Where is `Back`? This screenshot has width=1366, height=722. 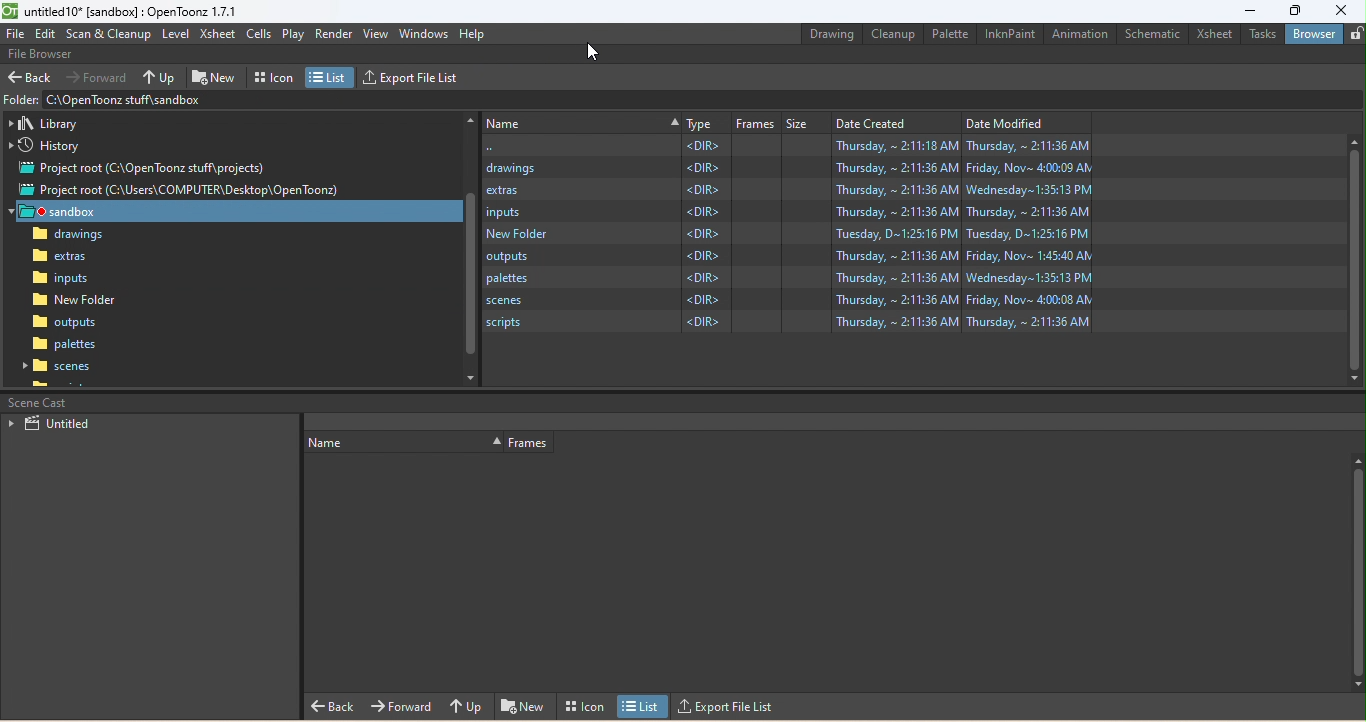 Back is located at coordinates (31, 79).